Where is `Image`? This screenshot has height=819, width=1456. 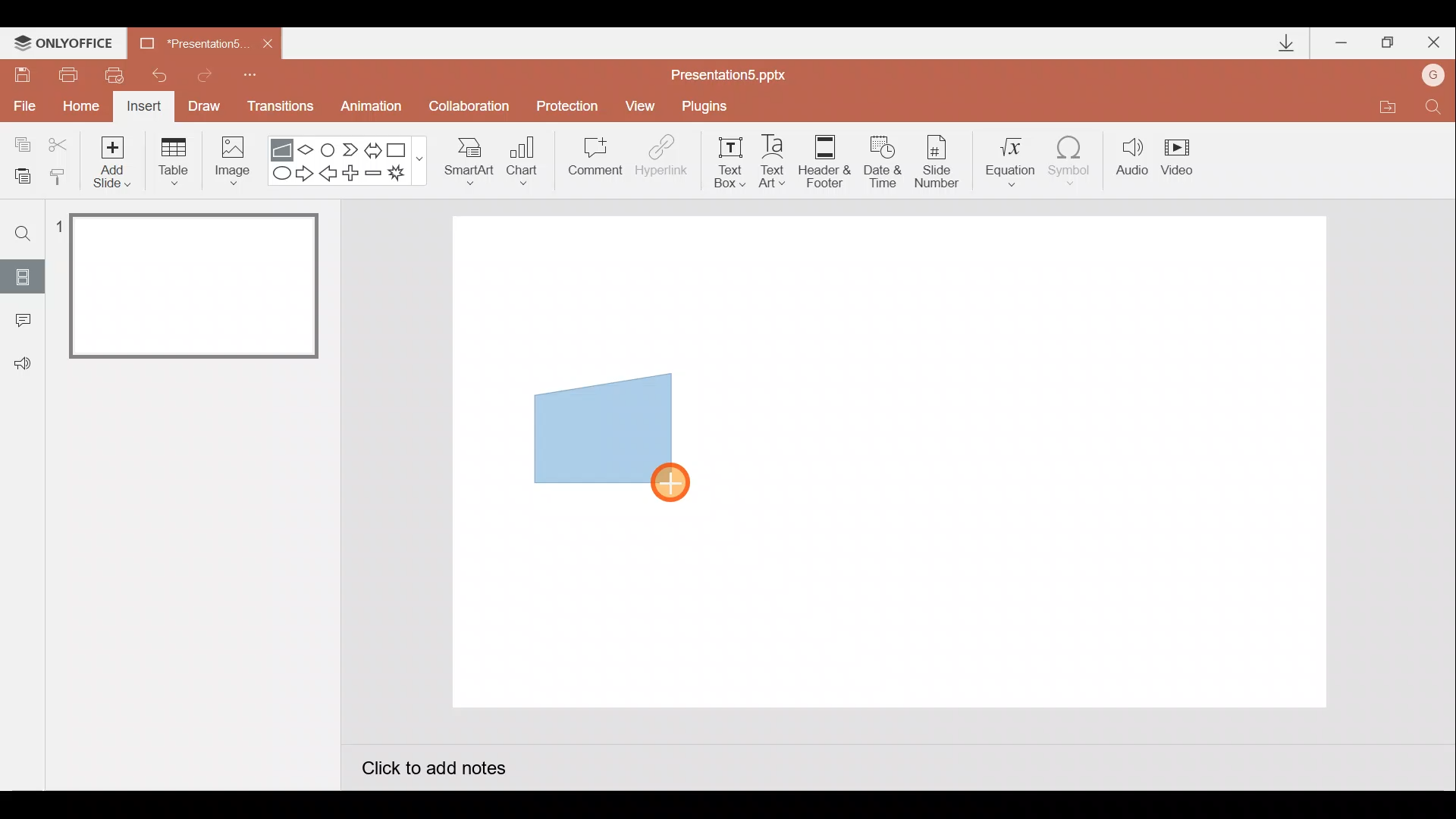
Image is located at coordinates (228, 160).